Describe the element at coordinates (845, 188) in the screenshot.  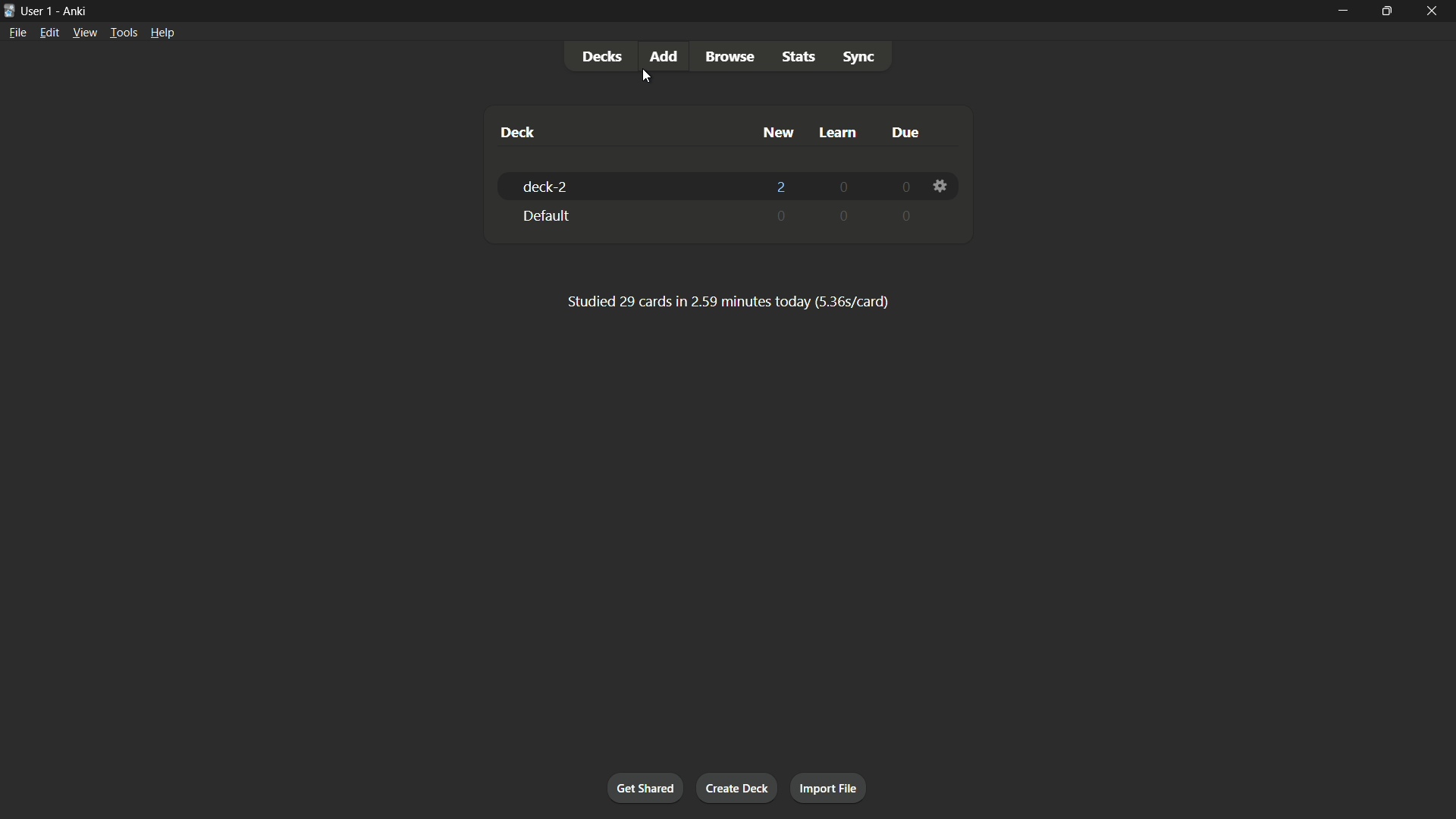
I see `0` at that location.